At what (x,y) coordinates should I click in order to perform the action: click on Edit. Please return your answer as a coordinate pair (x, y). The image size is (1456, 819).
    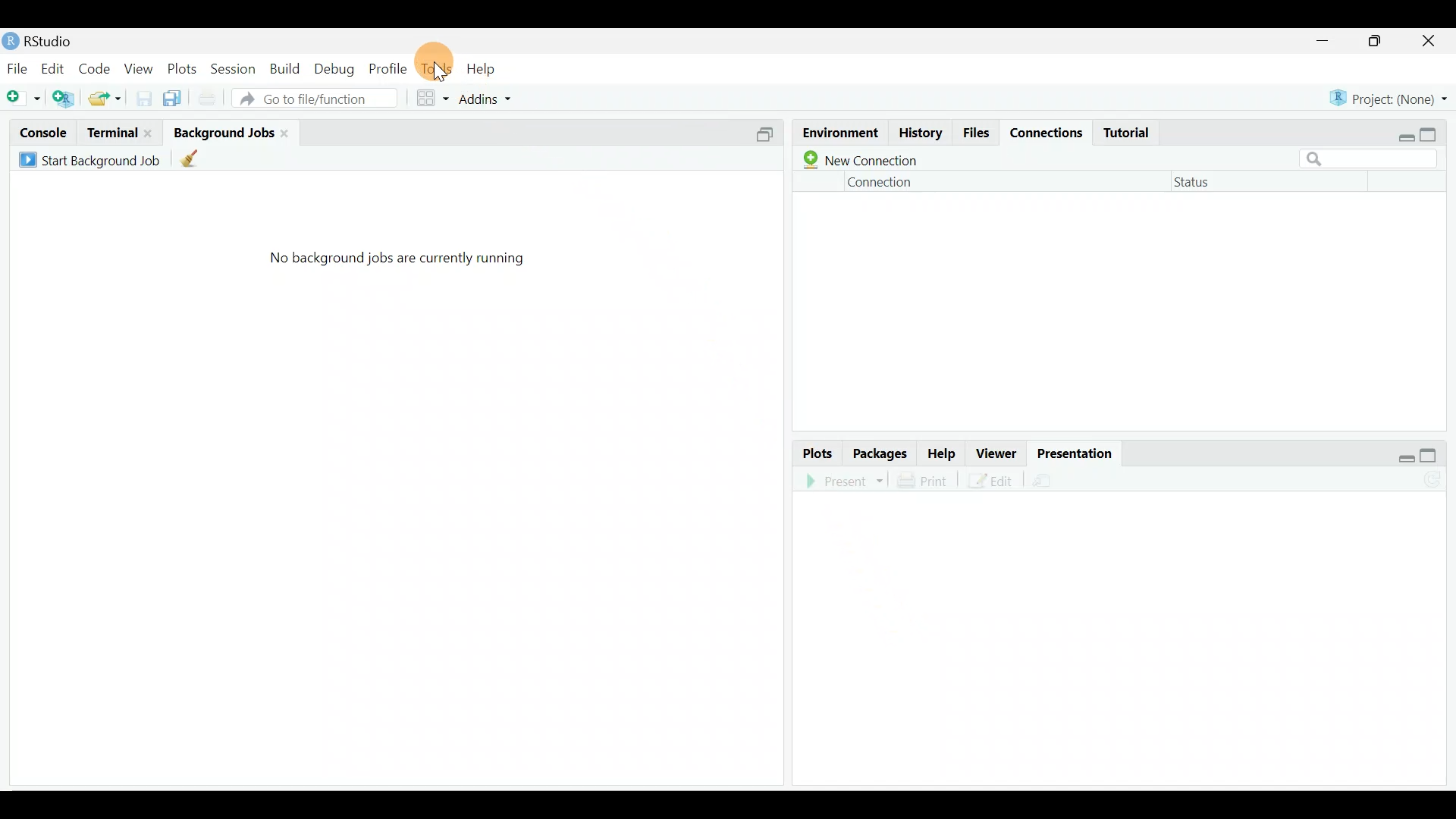
    Looking at the image, I should click on (55, 67).